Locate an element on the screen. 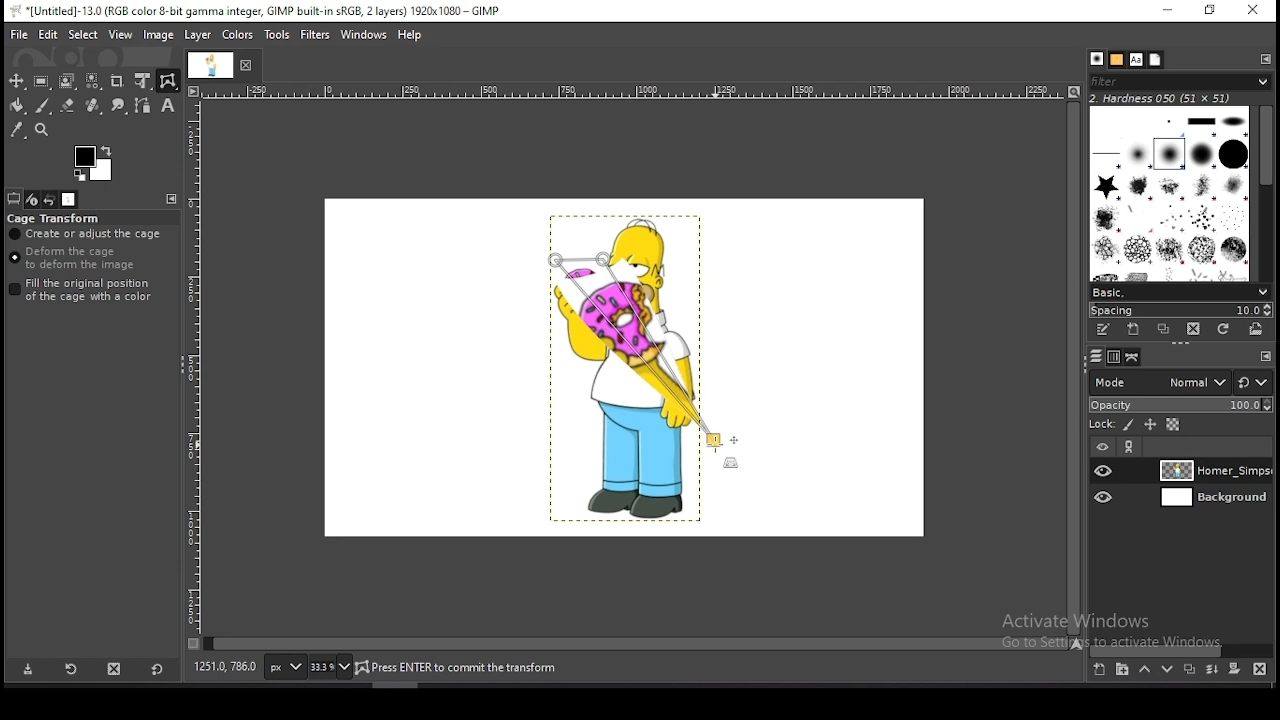 The height and width of the screenshot is (720, 1280). hardness 050 is located at coordinates (1162, 100).